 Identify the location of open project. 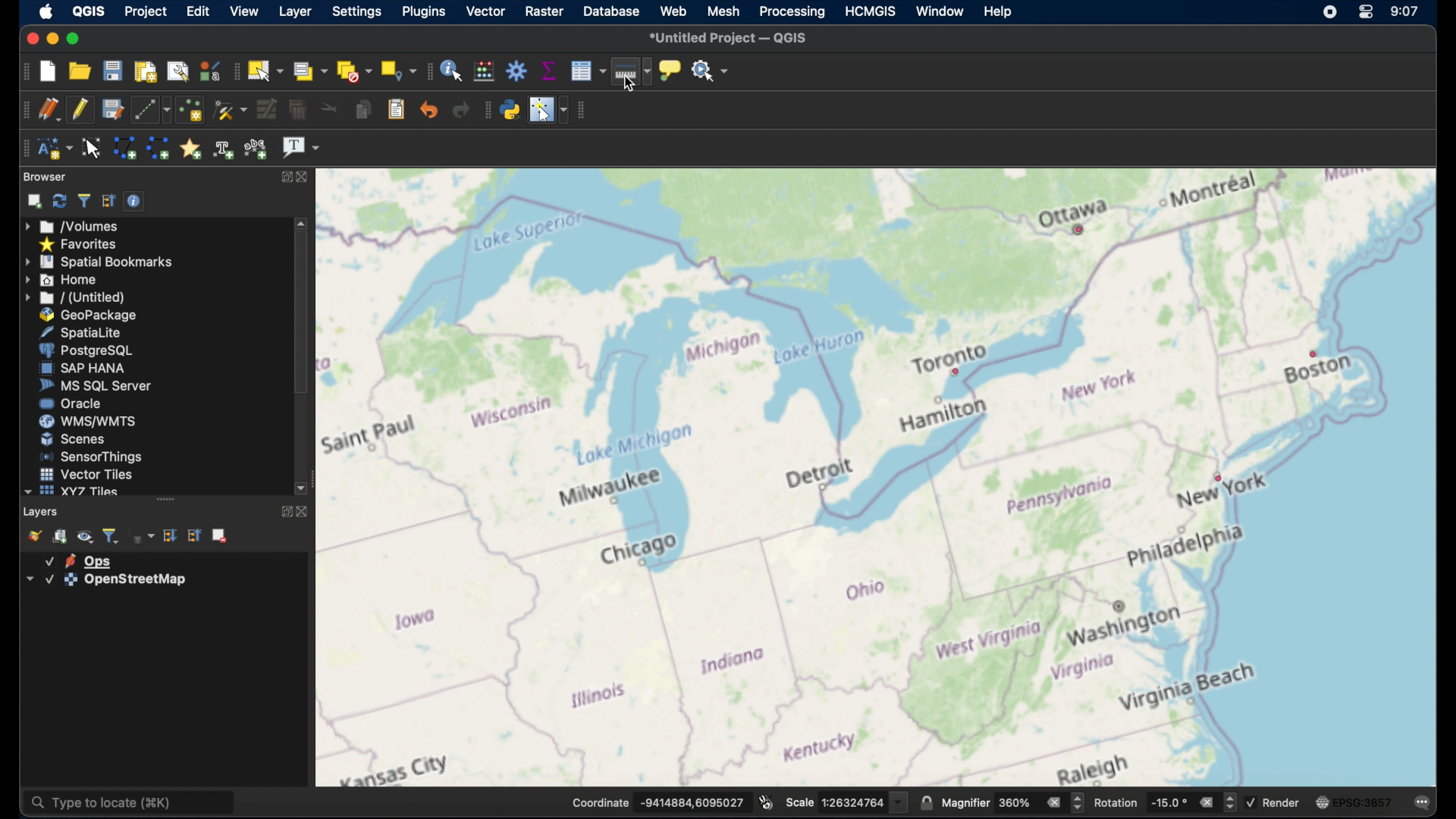
(82, 71).